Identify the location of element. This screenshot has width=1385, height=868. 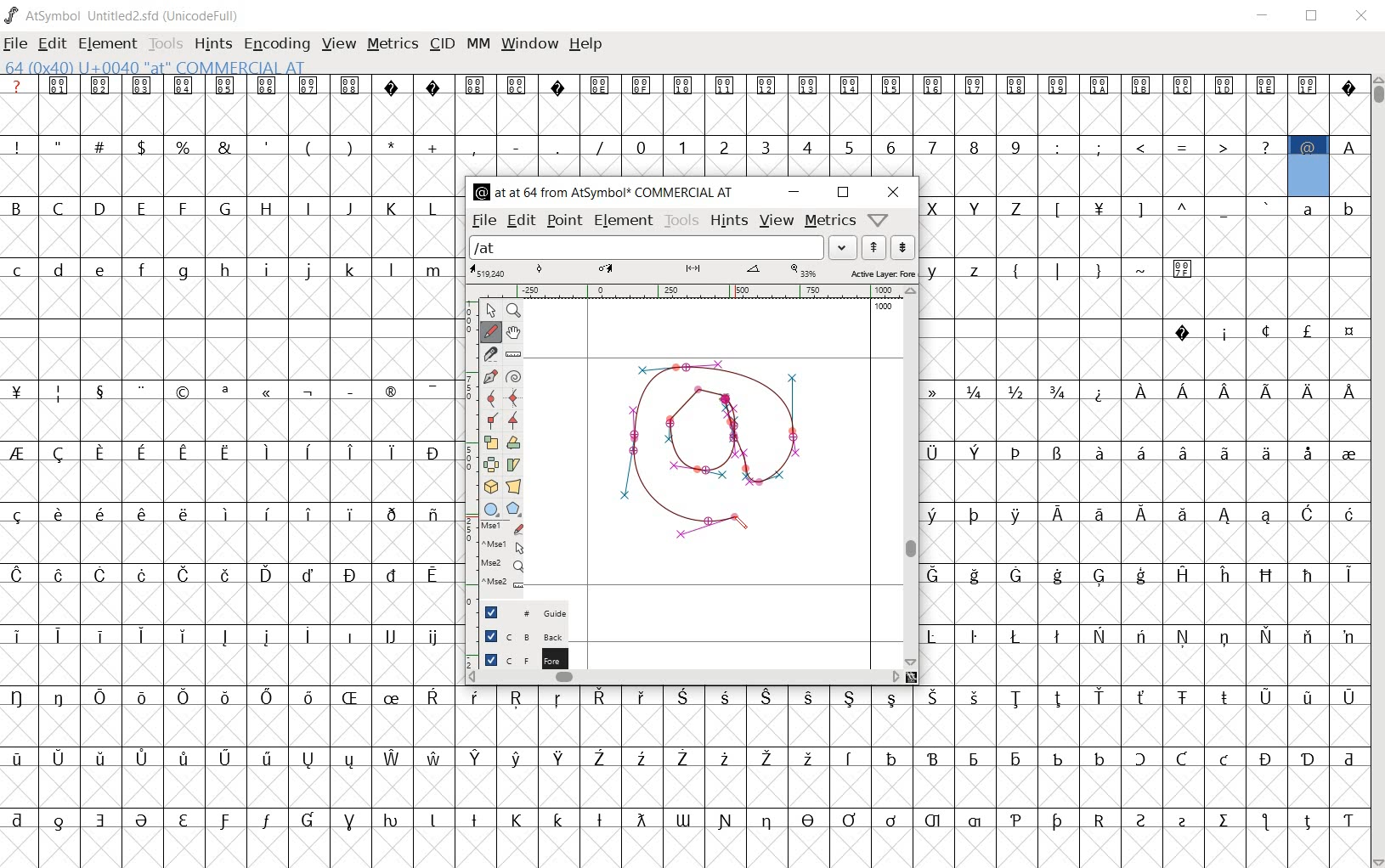
(624, 221).